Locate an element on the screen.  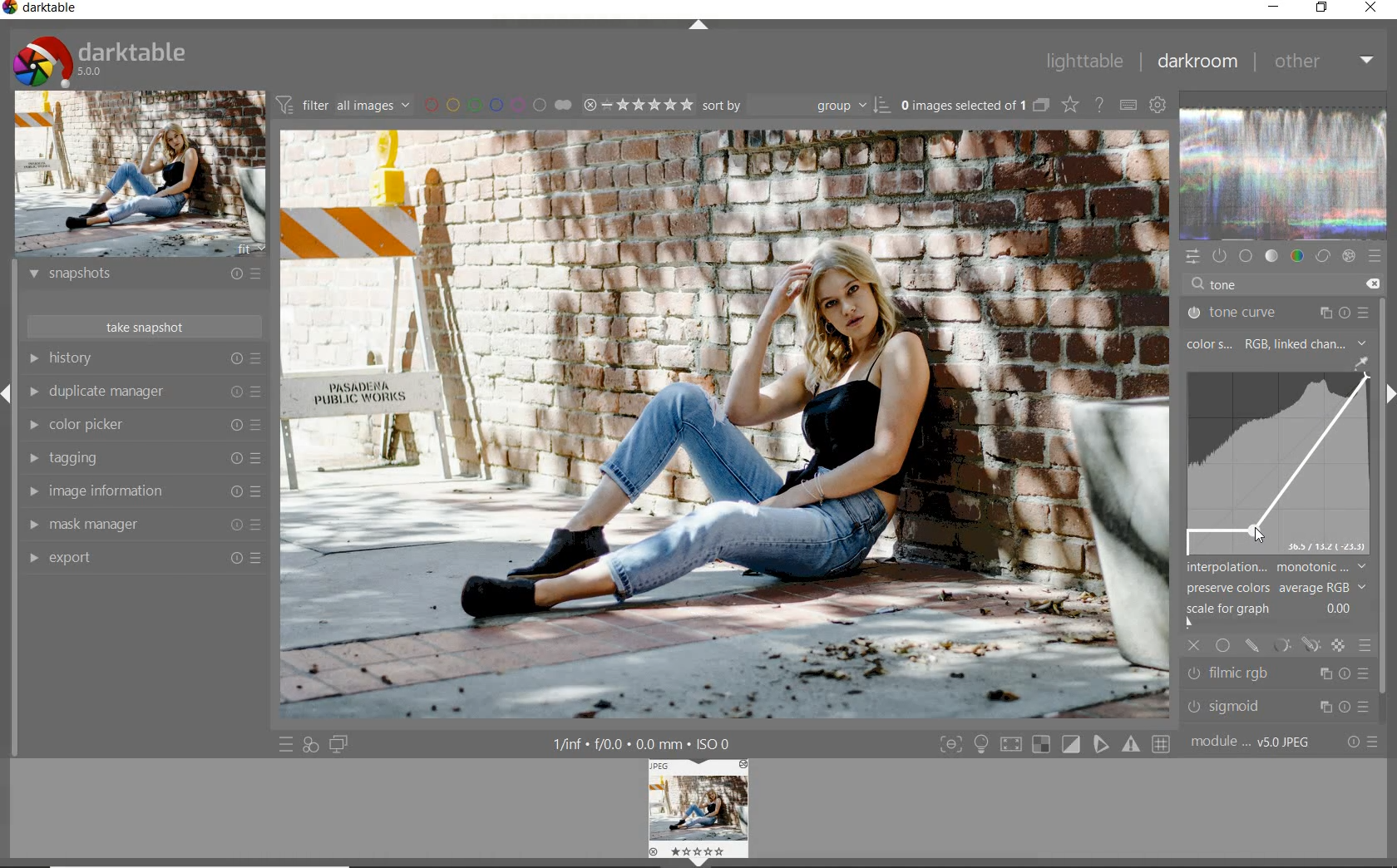
delete is located at coordinates (1373, 283).